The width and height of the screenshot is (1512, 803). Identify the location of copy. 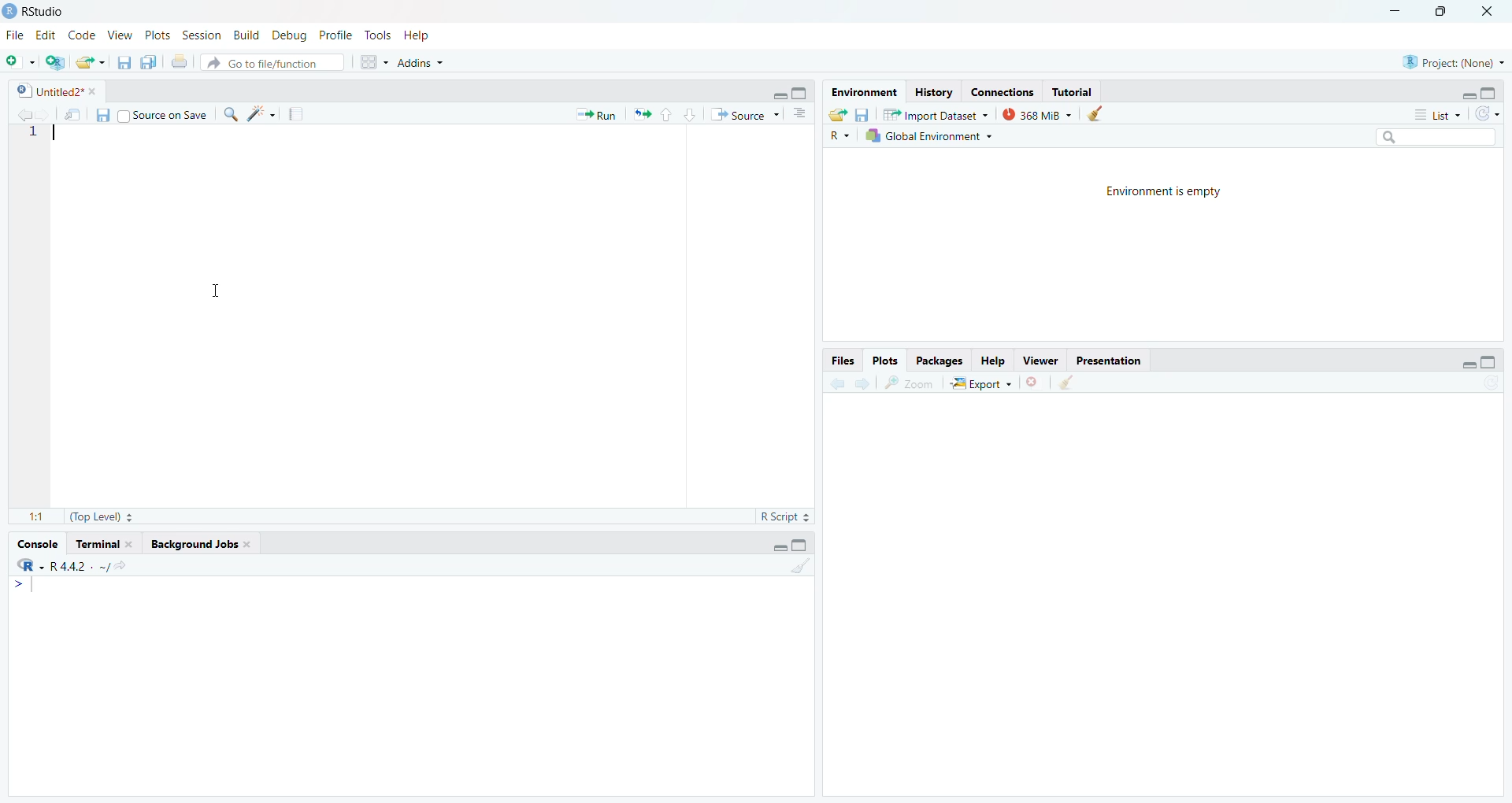
(148, 64).